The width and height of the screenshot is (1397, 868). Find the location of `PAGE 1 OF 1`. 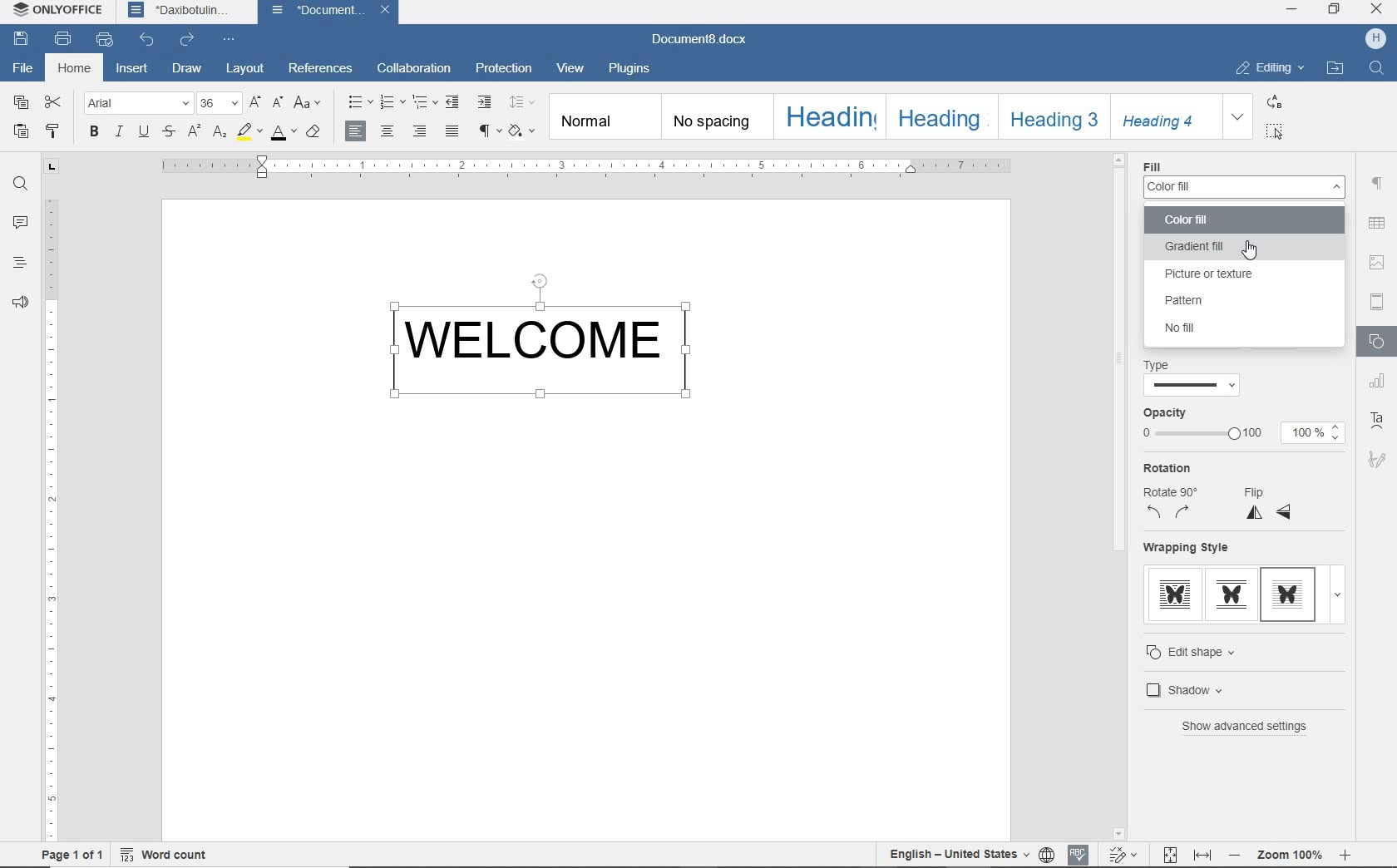

PAGE 1 OF 1 is located at coordinates (72, 855).